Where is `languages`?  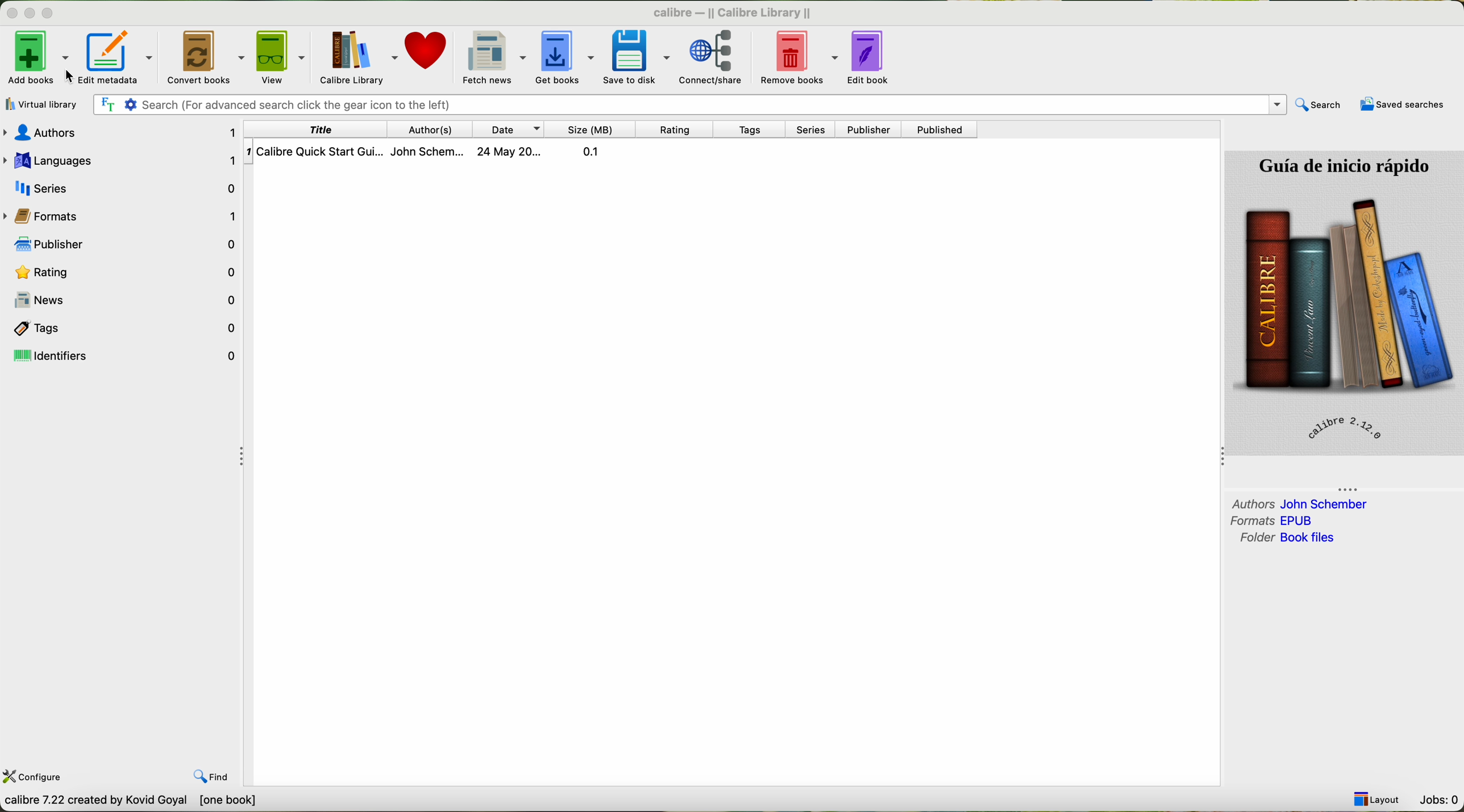
languages is located at coordinates (121, 159).